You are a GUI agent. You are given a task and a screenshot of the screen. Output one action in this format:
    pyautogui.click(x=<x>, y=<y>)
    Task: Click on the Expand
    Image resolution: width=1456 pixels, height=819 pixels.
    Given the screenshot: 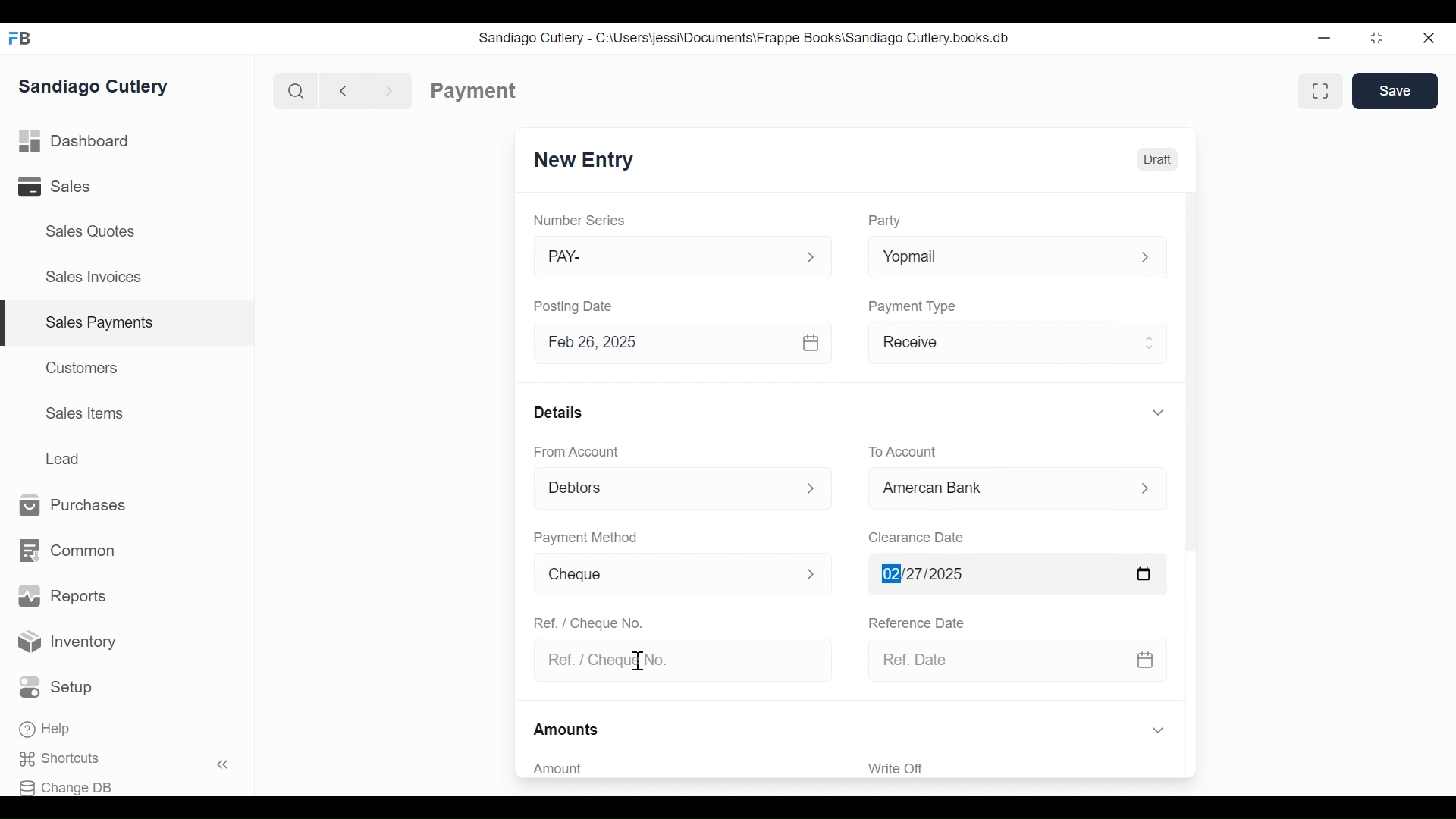 What is the action you would take?
    pyautogui.click(x=1157, y=412)
    